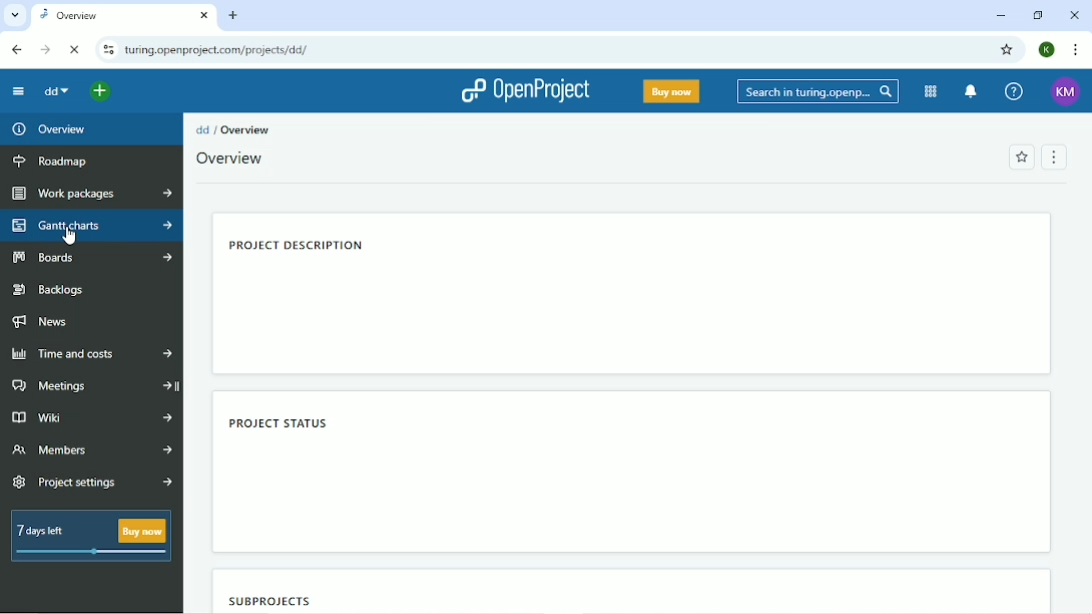  Describe the element at coordinates (1037, 14) in the screenshot. I see `Restore down` at that location.